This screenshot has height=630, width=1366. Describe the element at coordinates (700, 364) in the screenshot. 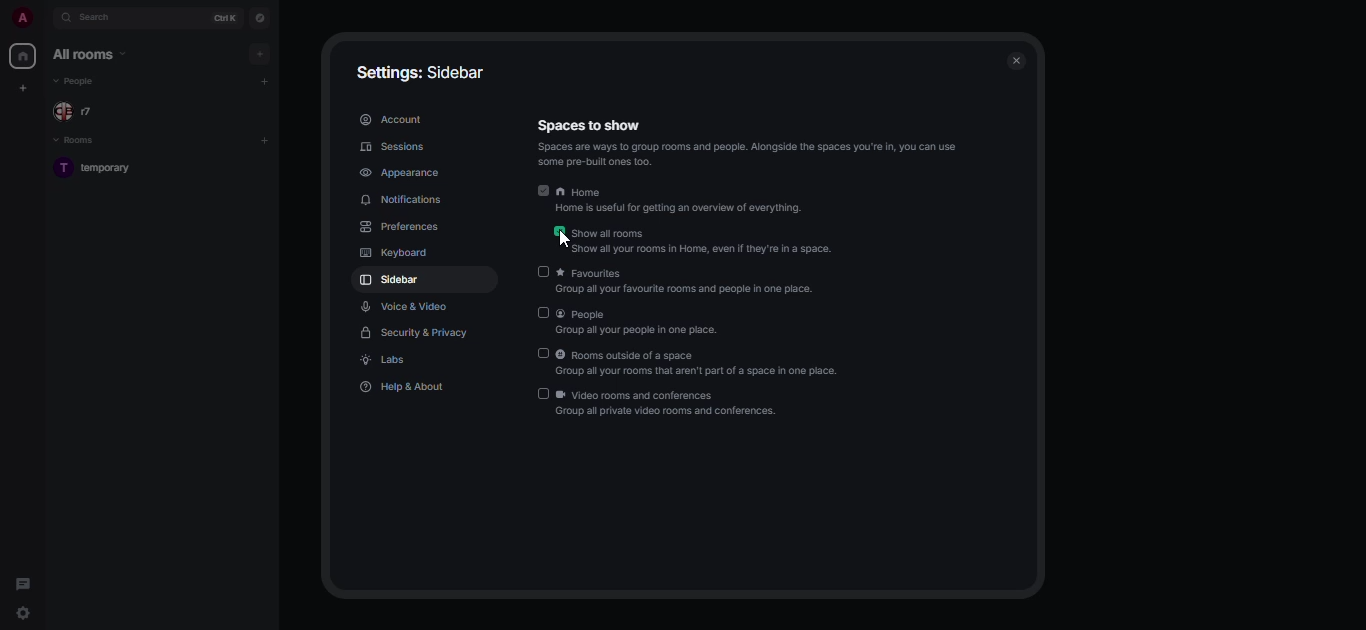

I see `rooms outside of a space` at that location.